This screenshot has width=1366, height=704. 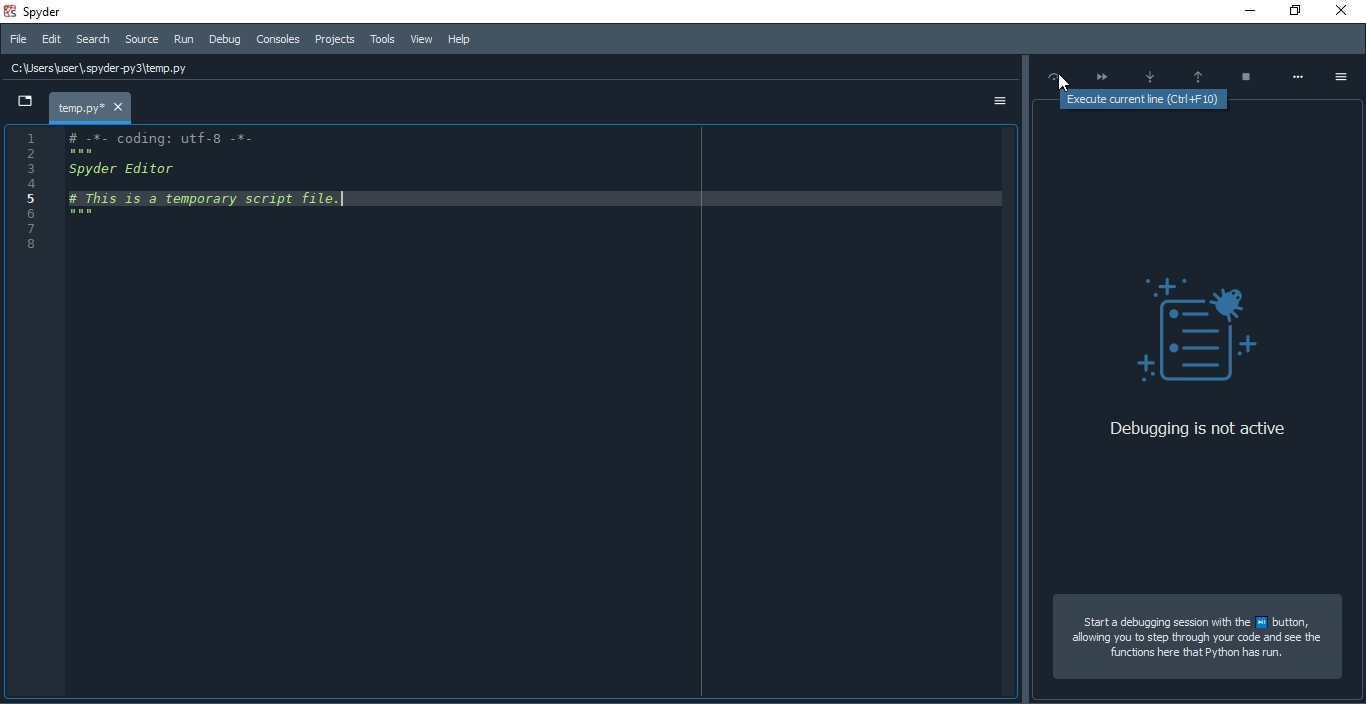 What do you see at coordinates (91, 108) in the screenshot?
I see `temp.py` at bounding box center [91, 108].